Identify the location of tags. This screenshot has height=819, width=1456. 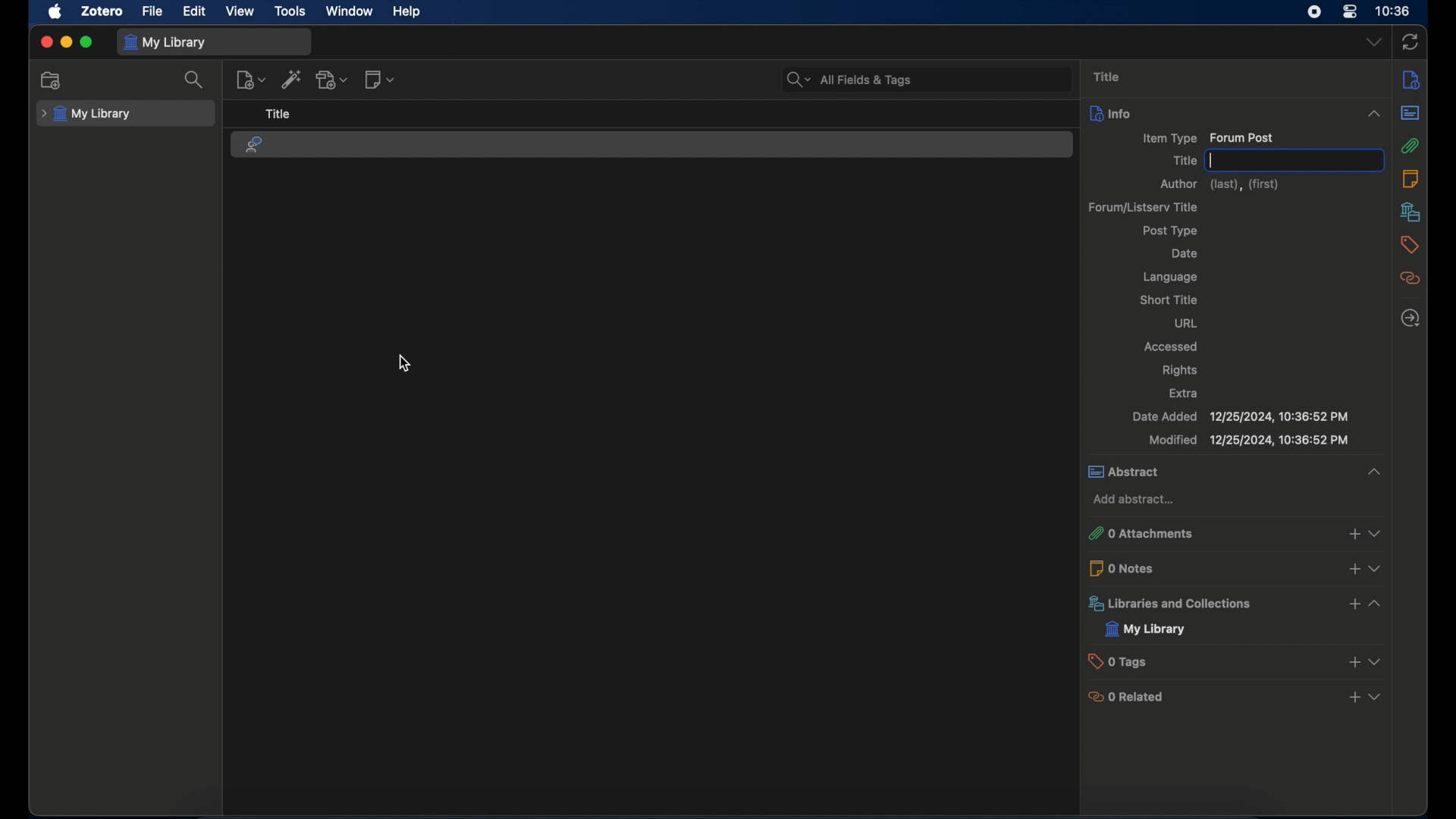
(1410, 245).